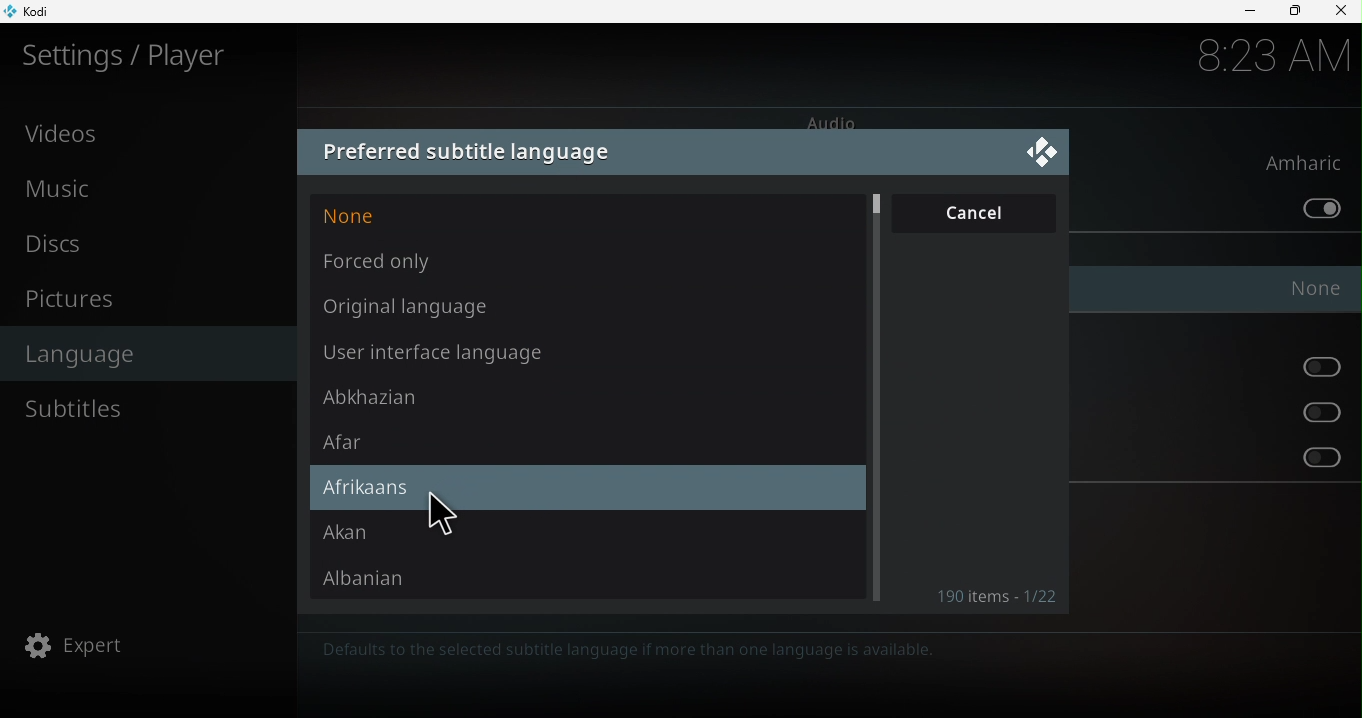 This screenshot has height=718, width=1362. Describe the element at coordinates (1218, 159) in the screenshot. I see `Preferred audio language` at that location.